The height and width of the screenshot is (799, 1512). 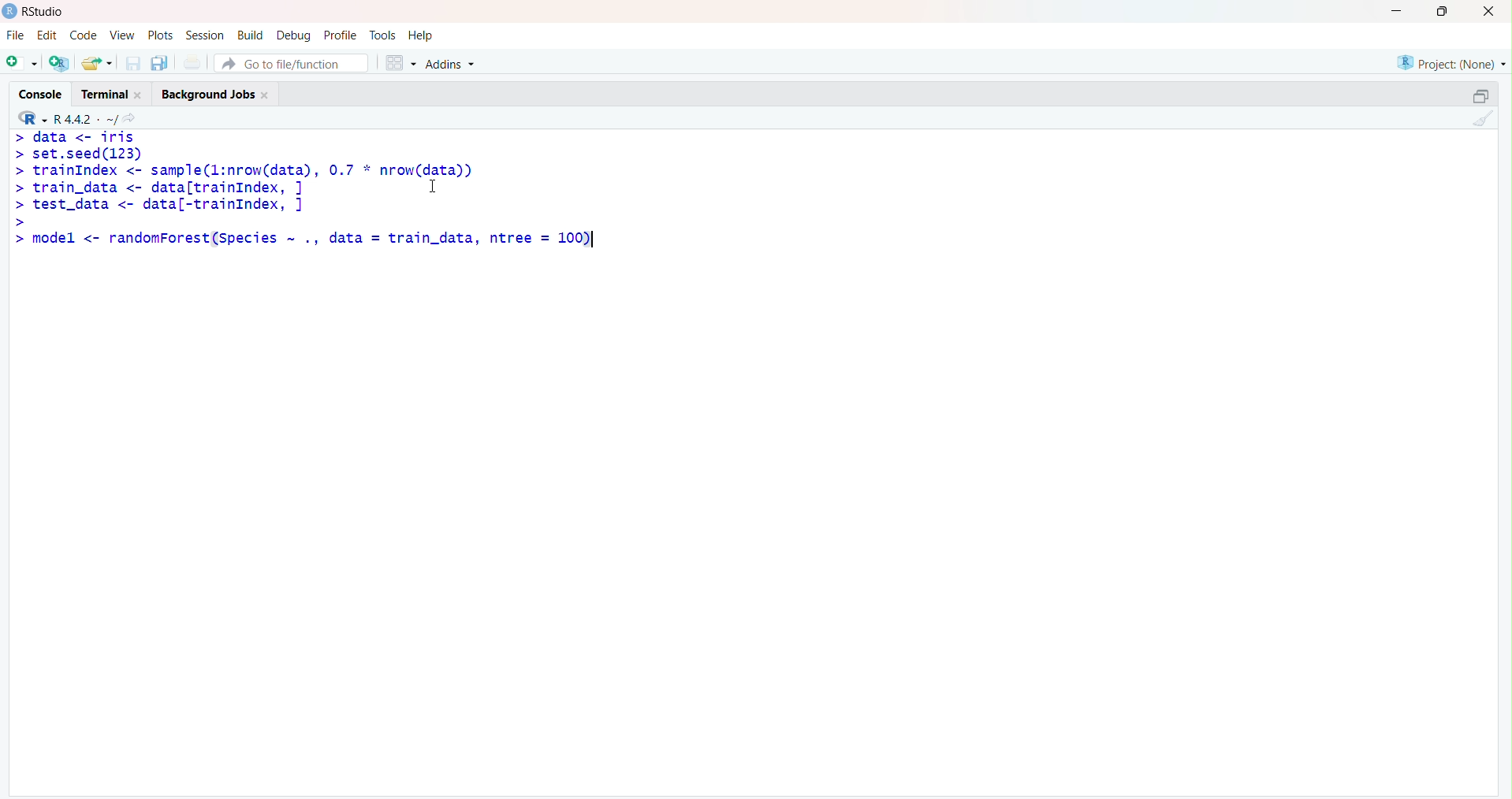 I want to click on Save all open documents (Ctrl + Alt + S), so click(x=158, y=61).